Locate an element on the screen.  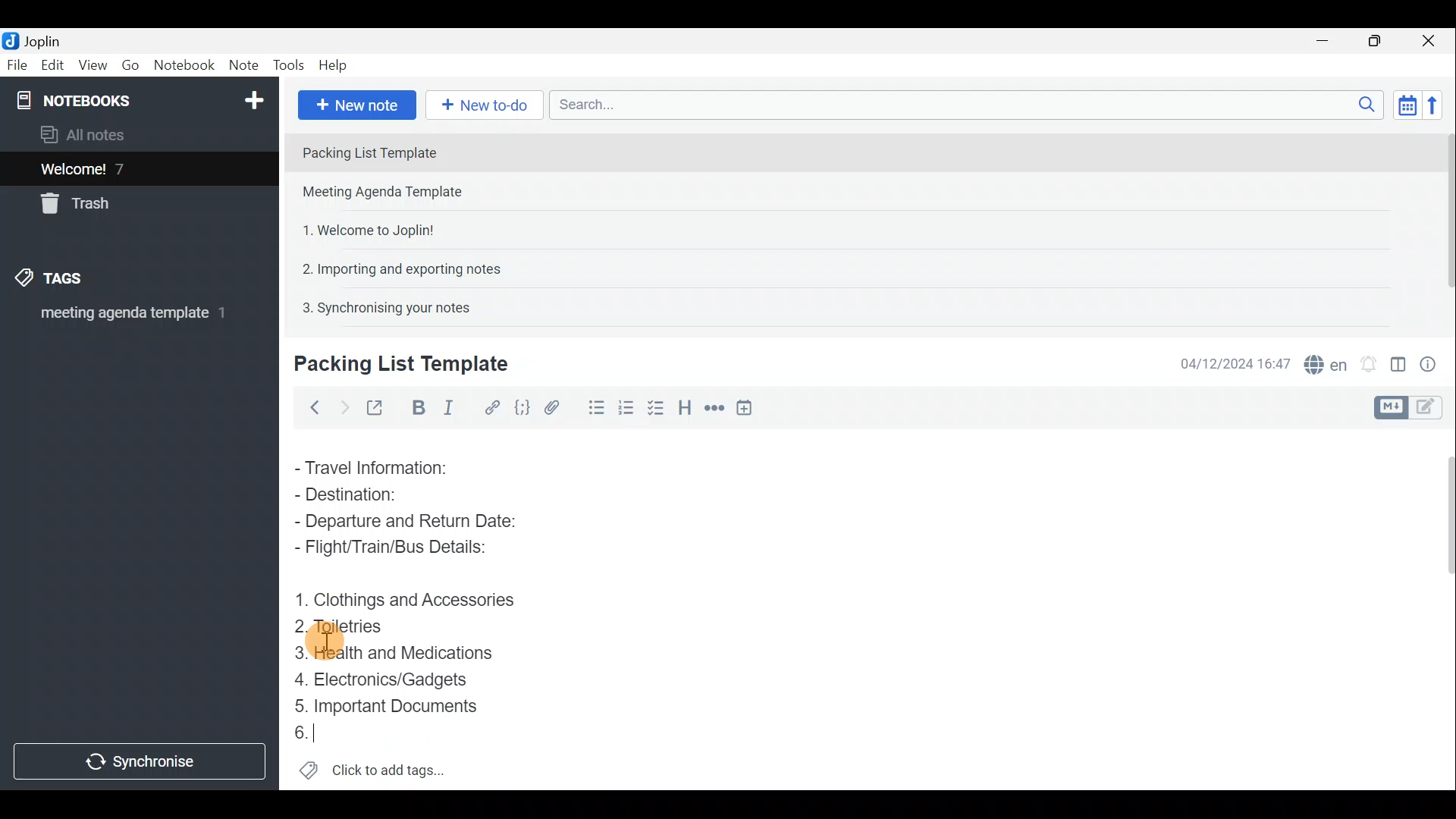
Bold is located at coordinates (416, 406).